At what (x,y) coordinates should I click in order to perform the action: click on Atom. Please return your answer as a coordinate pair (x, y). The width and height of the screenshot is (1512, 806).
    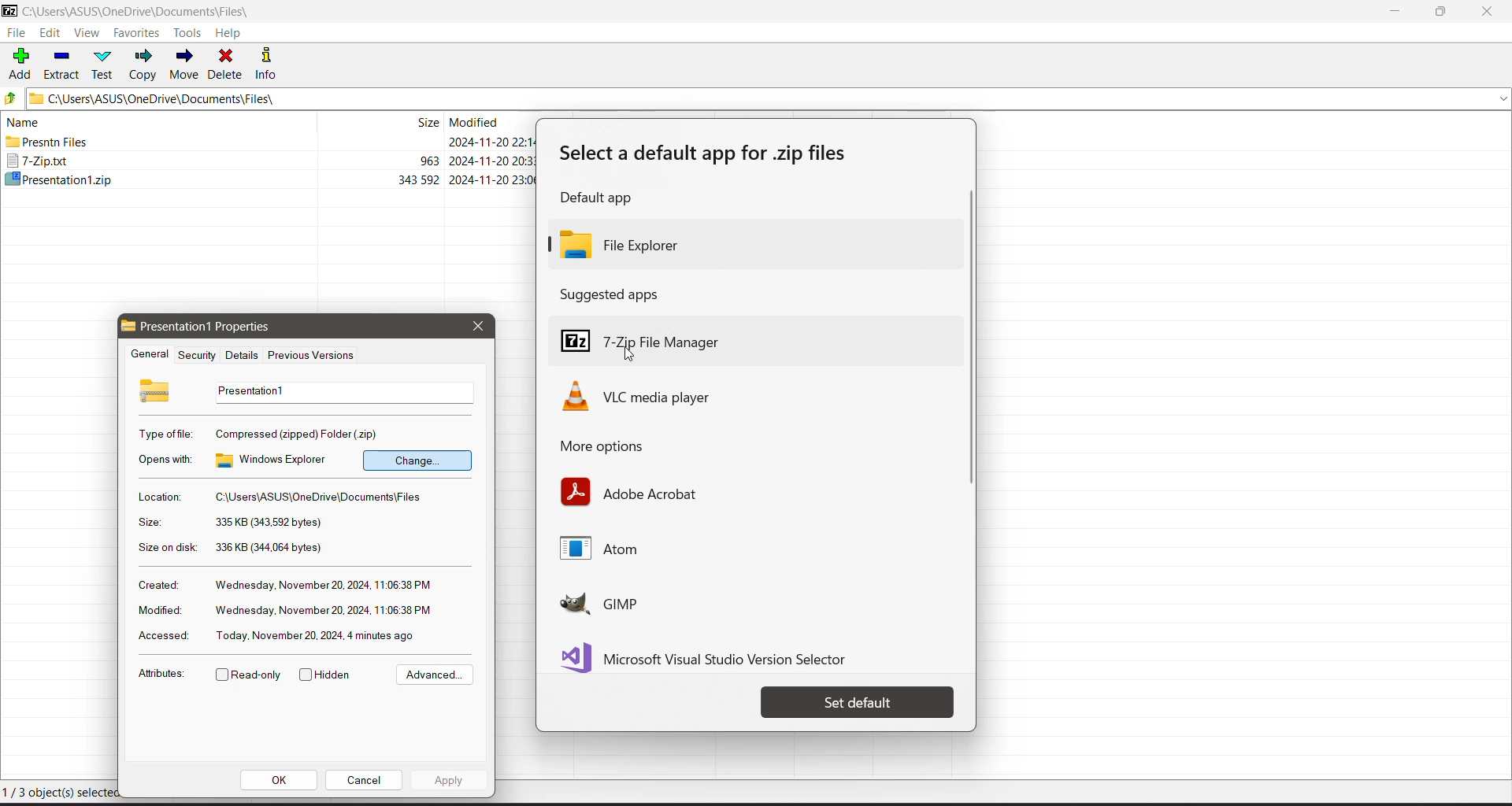
    Looking at the image, I should click on (613, 551).